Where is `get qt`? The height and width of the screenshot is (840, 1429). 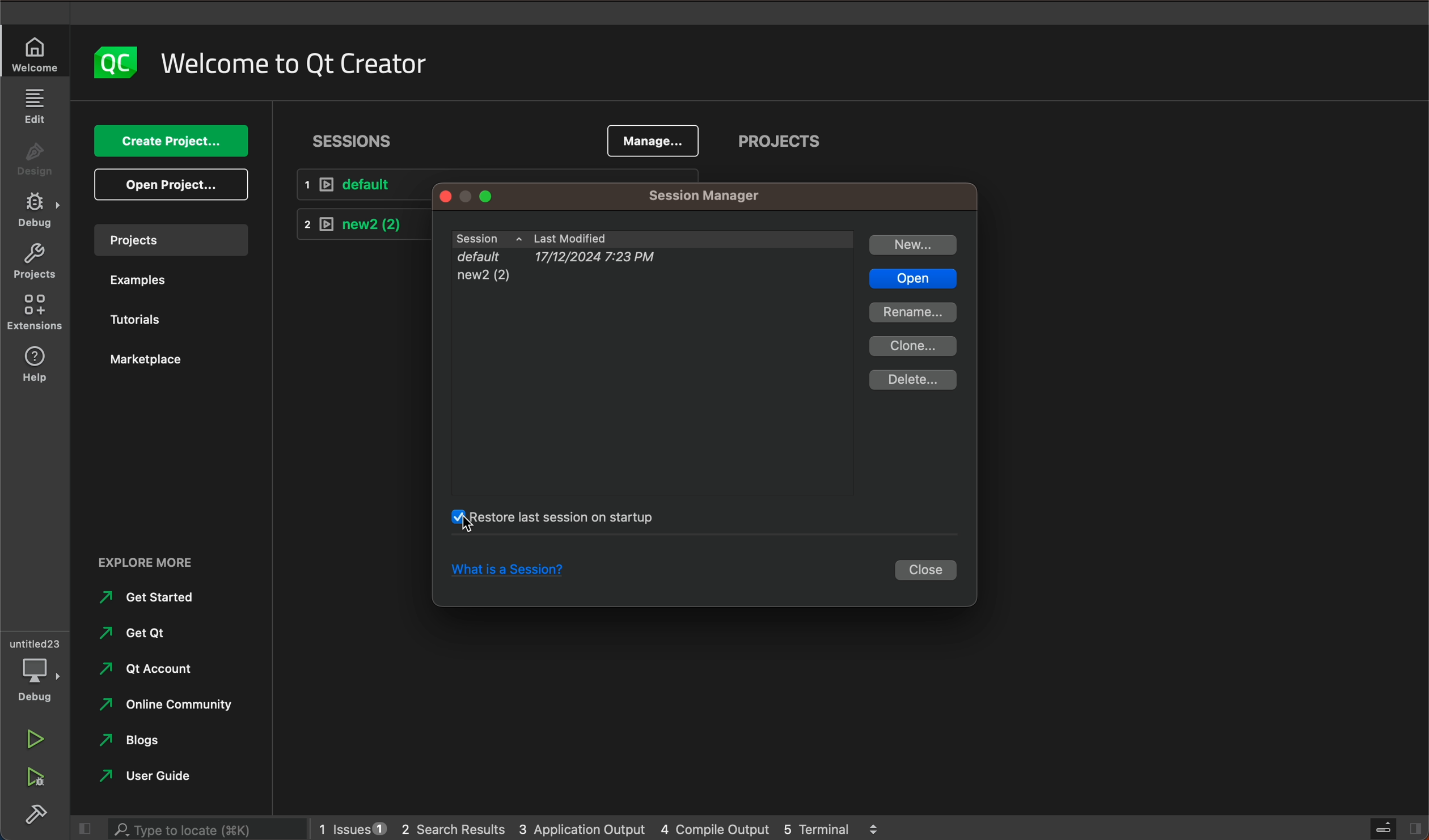
get qt is located at coordinates (135, 634).